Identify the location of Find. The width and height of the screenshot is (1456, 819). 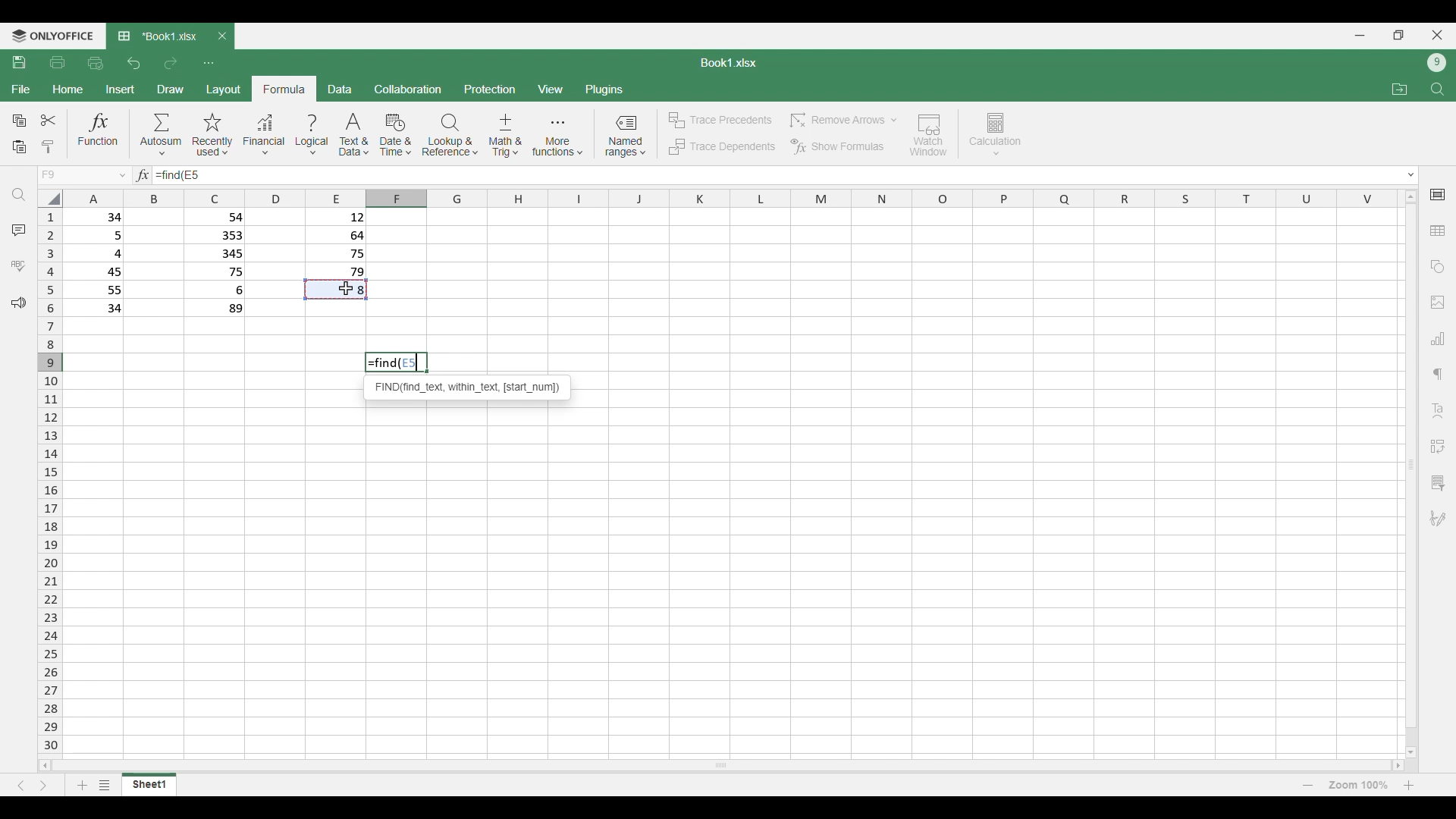
(19, 195).